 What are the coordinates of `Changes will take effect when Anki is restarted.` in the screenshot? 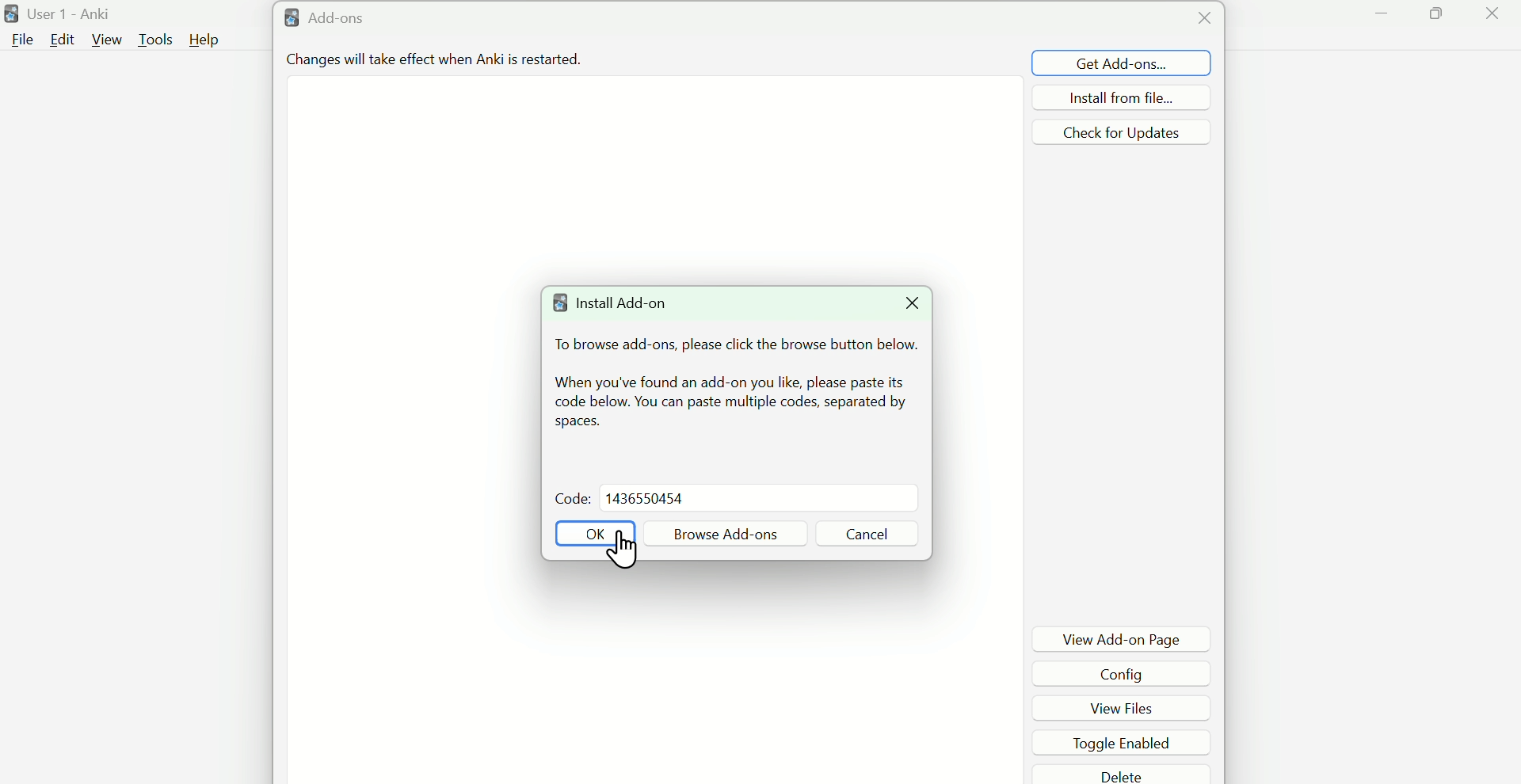 It's located at (432, 63).